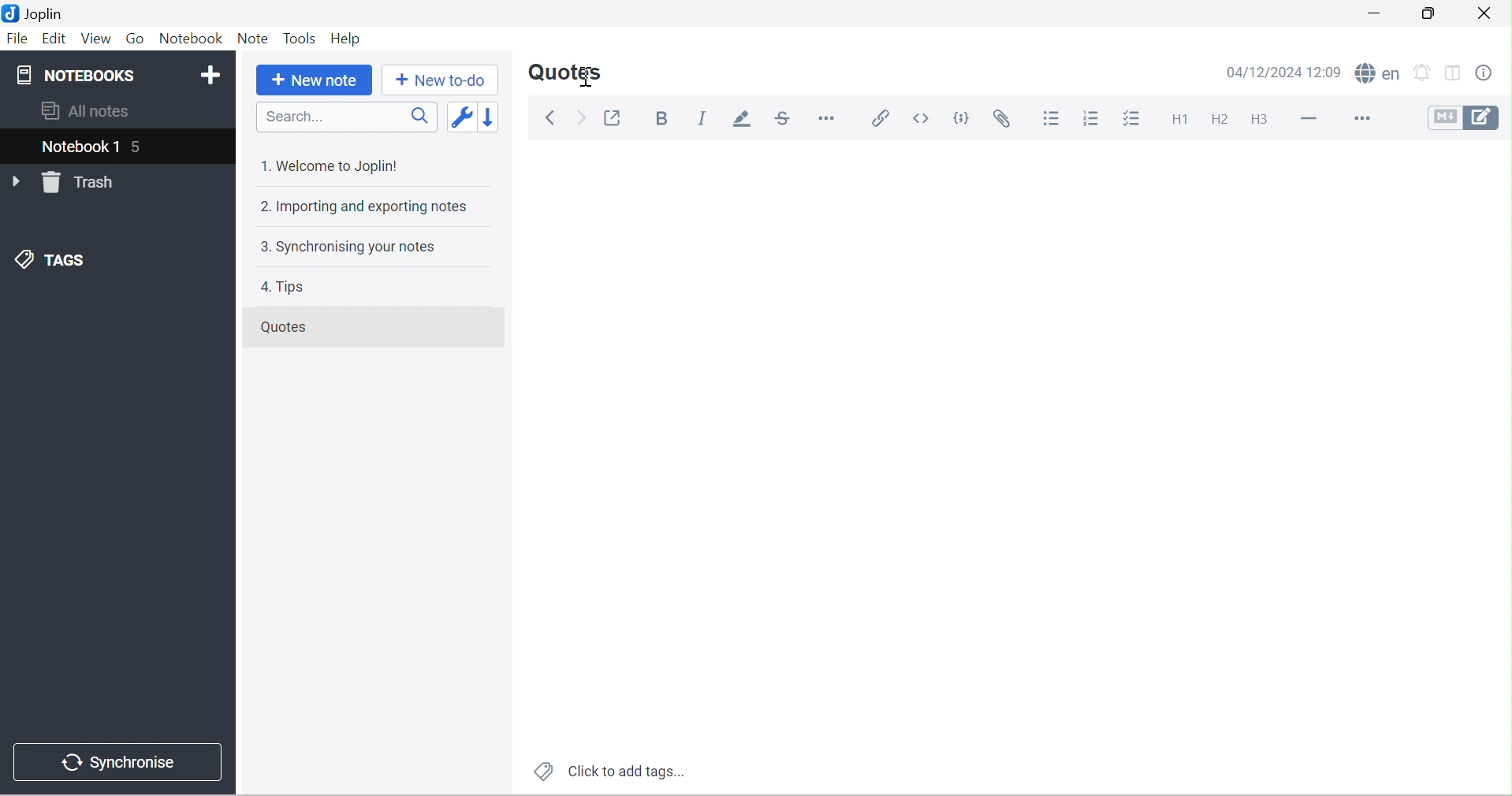 The width and height of the screenshot is (1512, 796). What do you see at coordinates (1376, 73) in the screenshot?
I see `spell checker` at bounding box center [1376, 73].